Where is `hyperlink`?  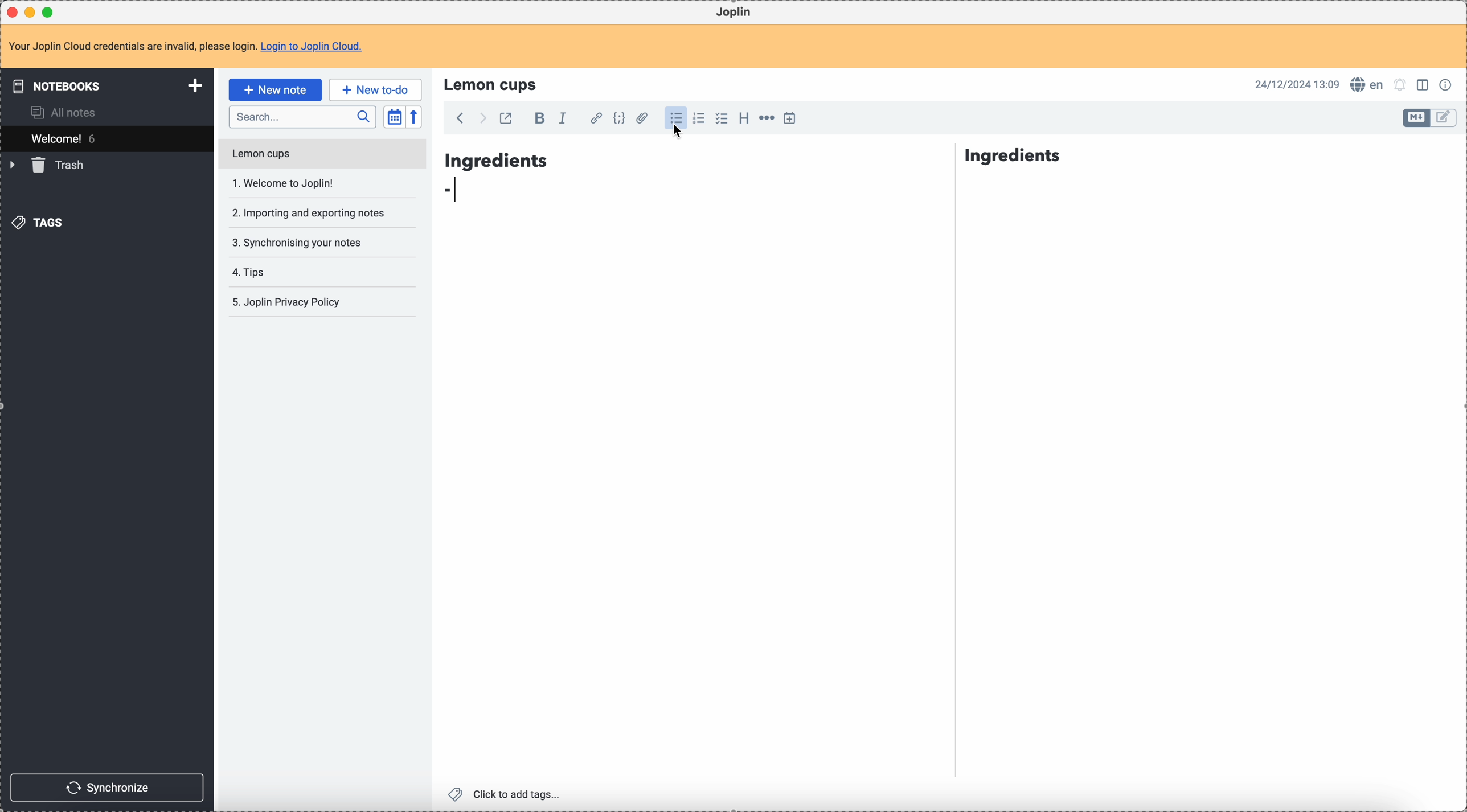
hyperlink is located at coordinates (594, 119).